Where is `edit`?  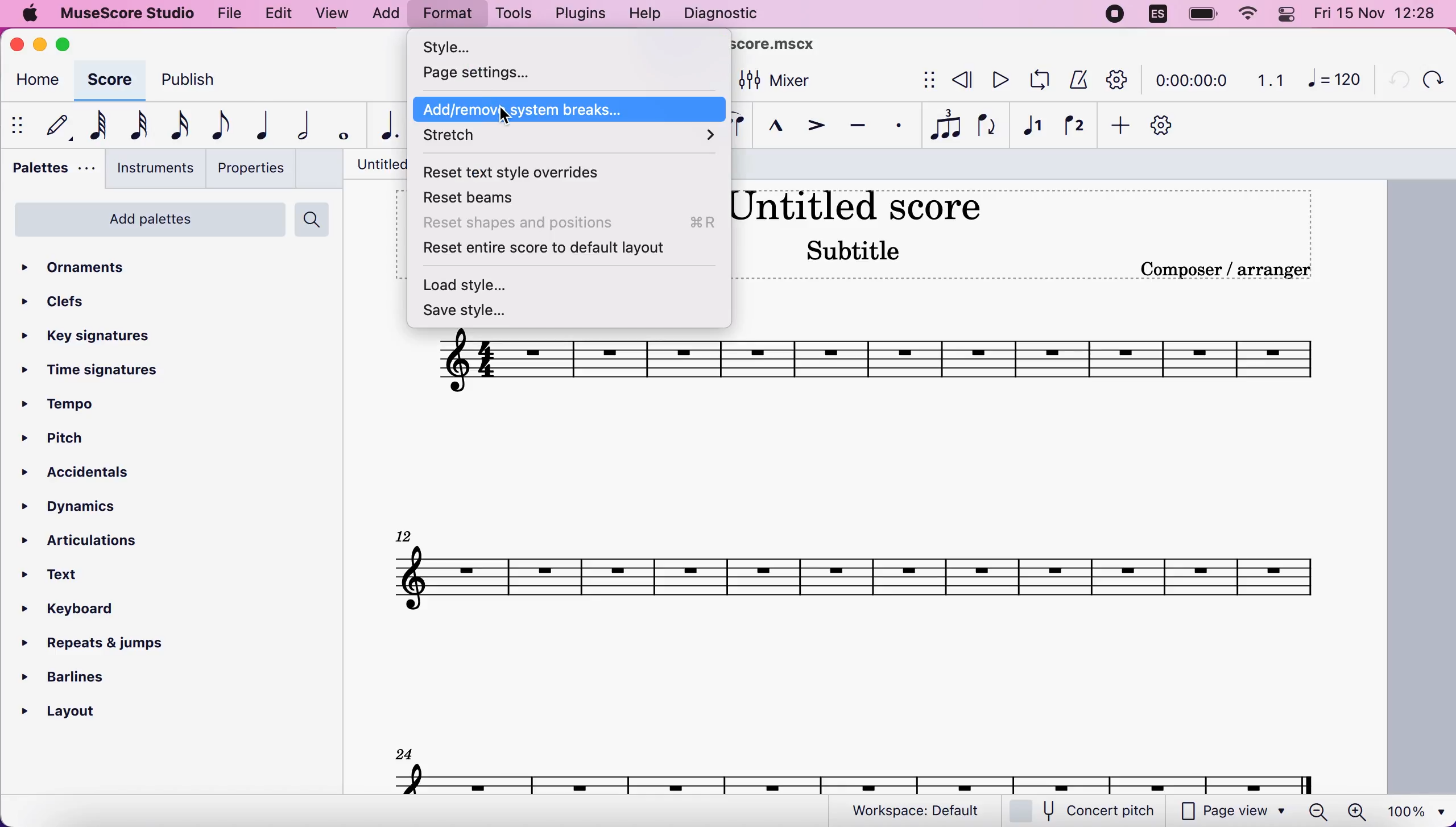 edit is located at coordinates (278, 14).